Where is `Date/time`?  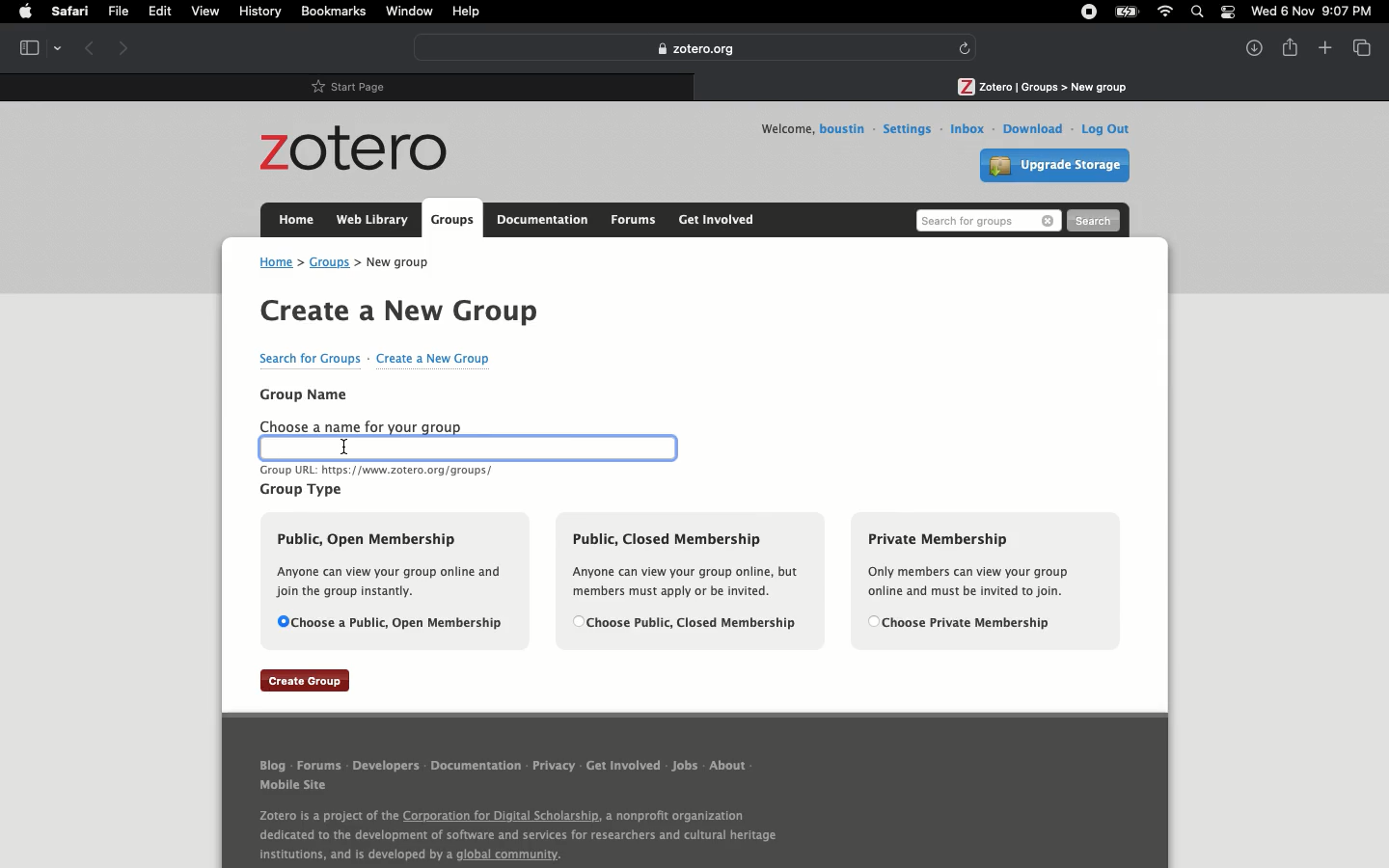 Date/time is located at coordinates (1316, 12).